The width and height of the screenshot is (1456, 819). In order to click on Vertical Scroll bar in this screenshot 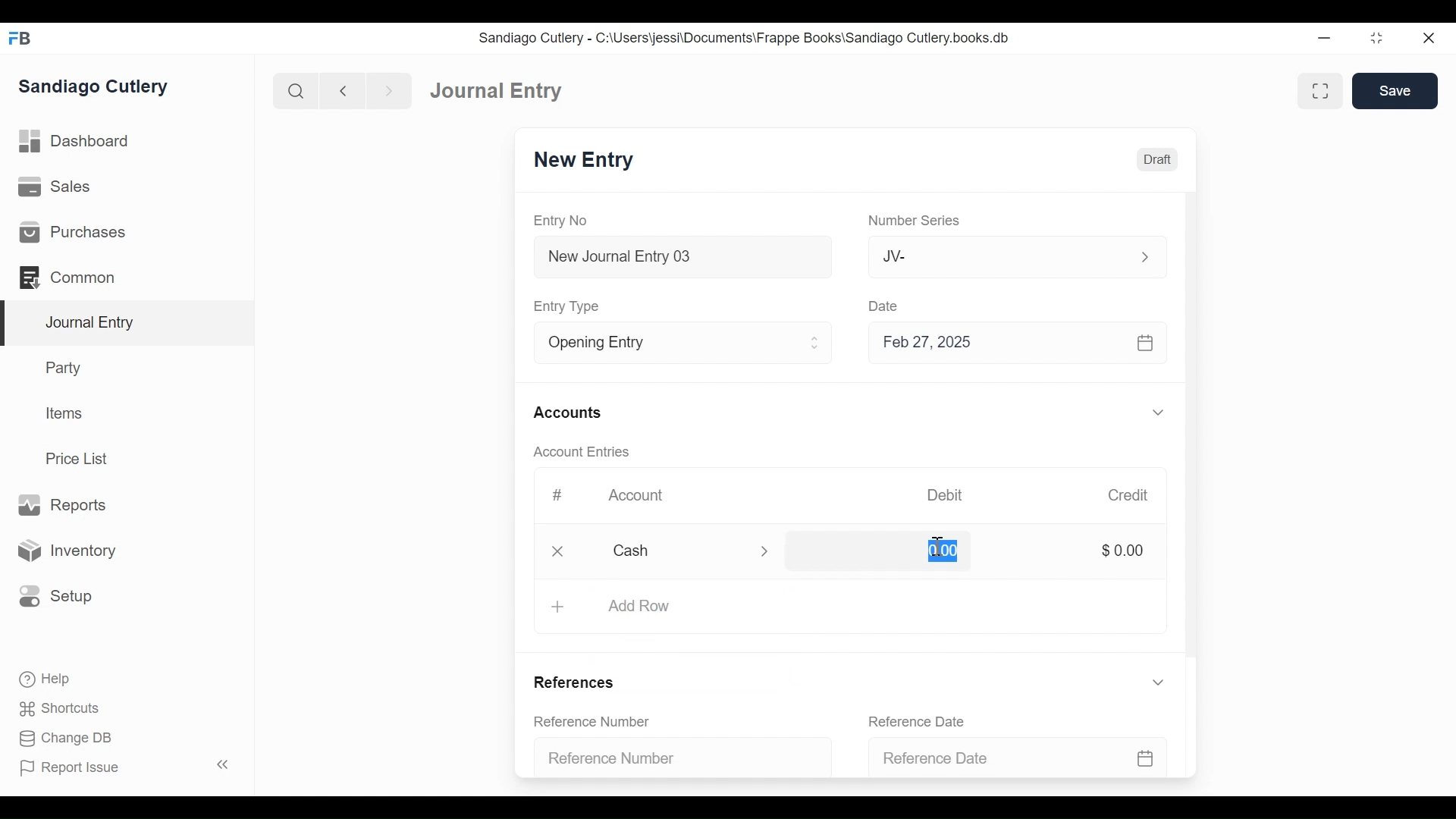, I will do `click(1193, 439)`.